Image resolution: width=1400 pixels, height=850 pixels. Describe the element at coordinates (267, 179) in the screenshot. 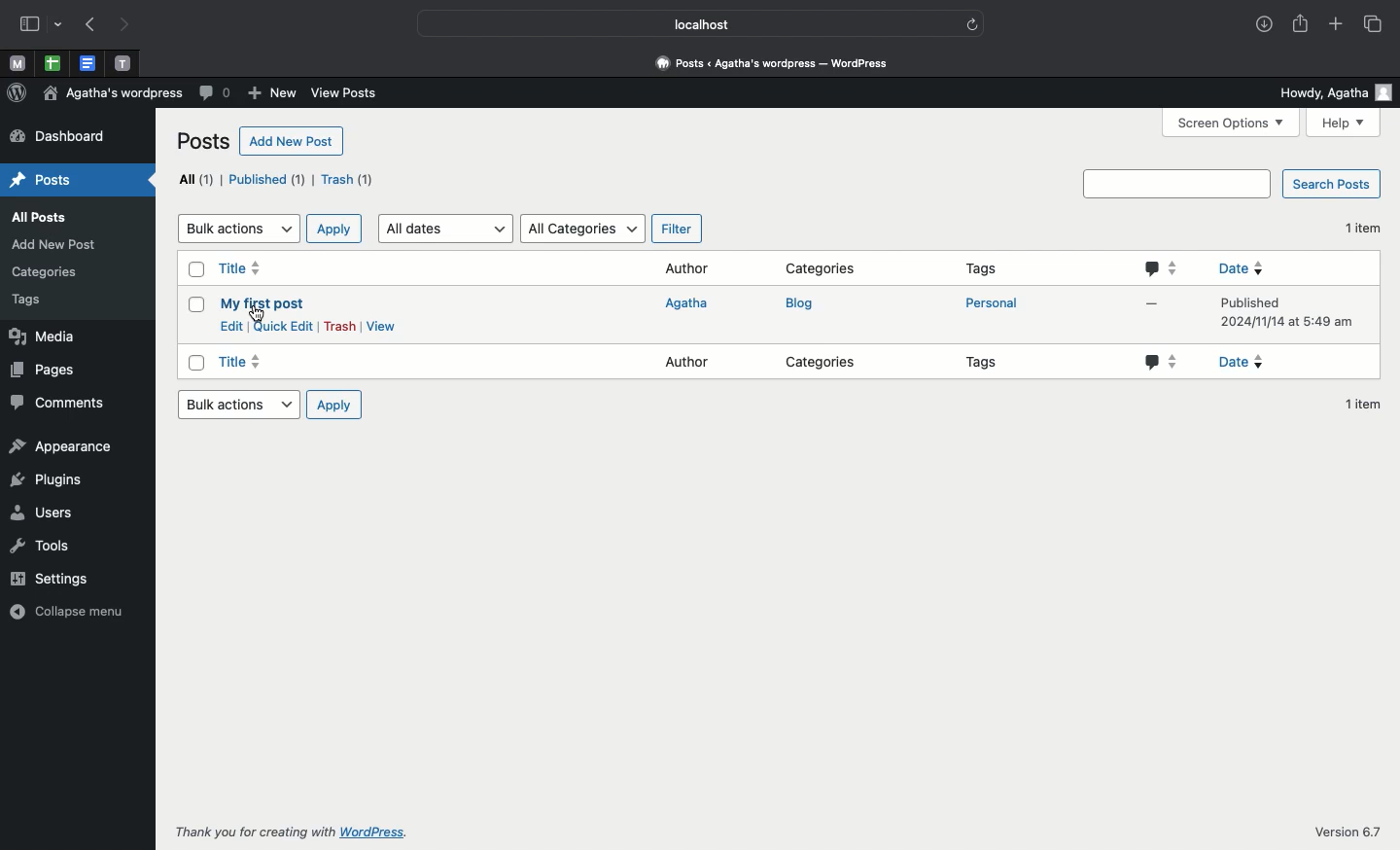

I see `Published` at that location.